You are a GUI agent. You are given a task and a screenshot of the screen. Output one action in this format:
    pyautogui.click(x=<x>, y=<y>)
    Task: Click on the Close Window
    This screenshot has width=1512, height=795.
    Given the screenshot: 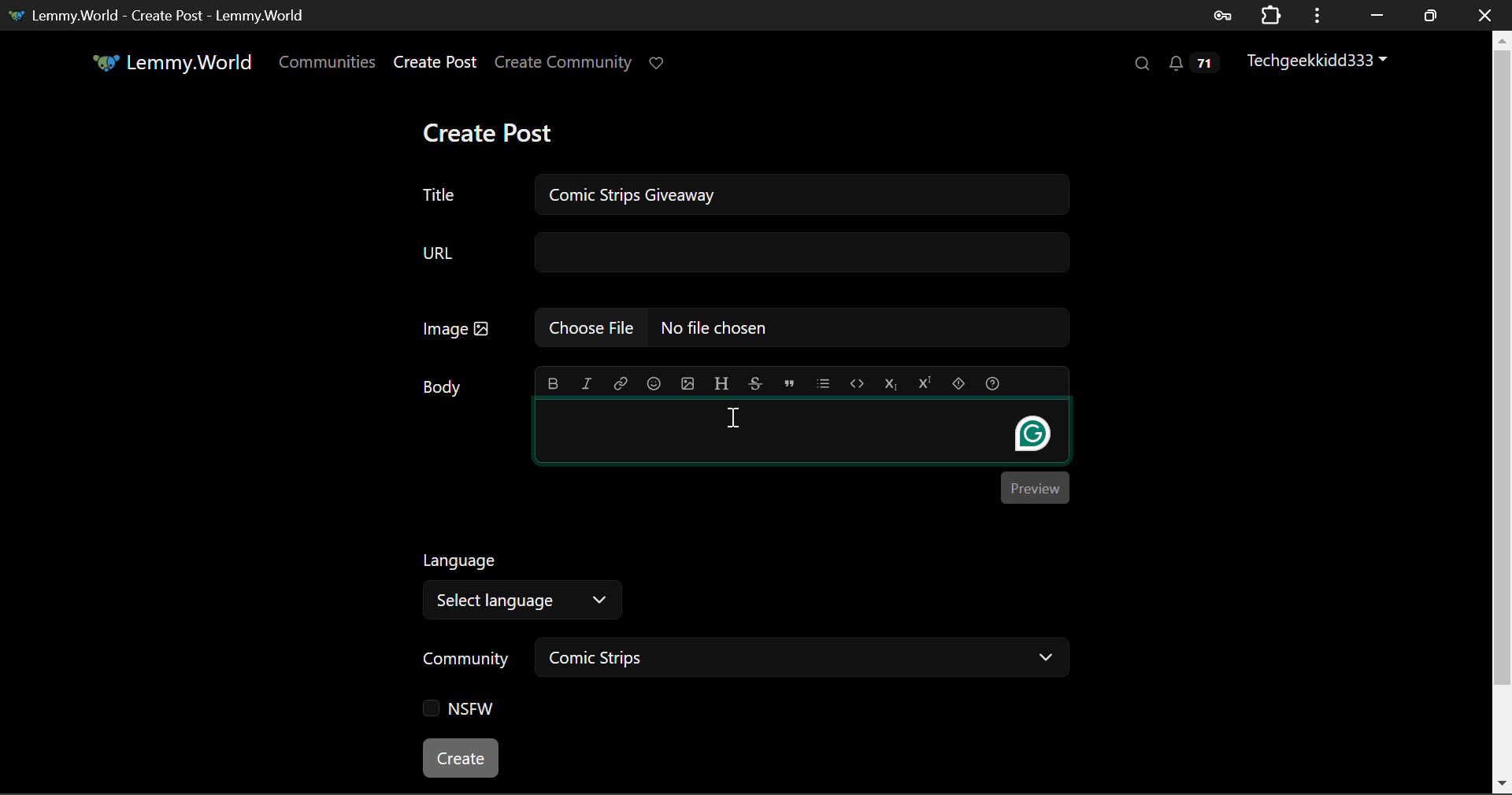 What is the action you would take?
    pyautogui.click(x=1484, y=13)
    